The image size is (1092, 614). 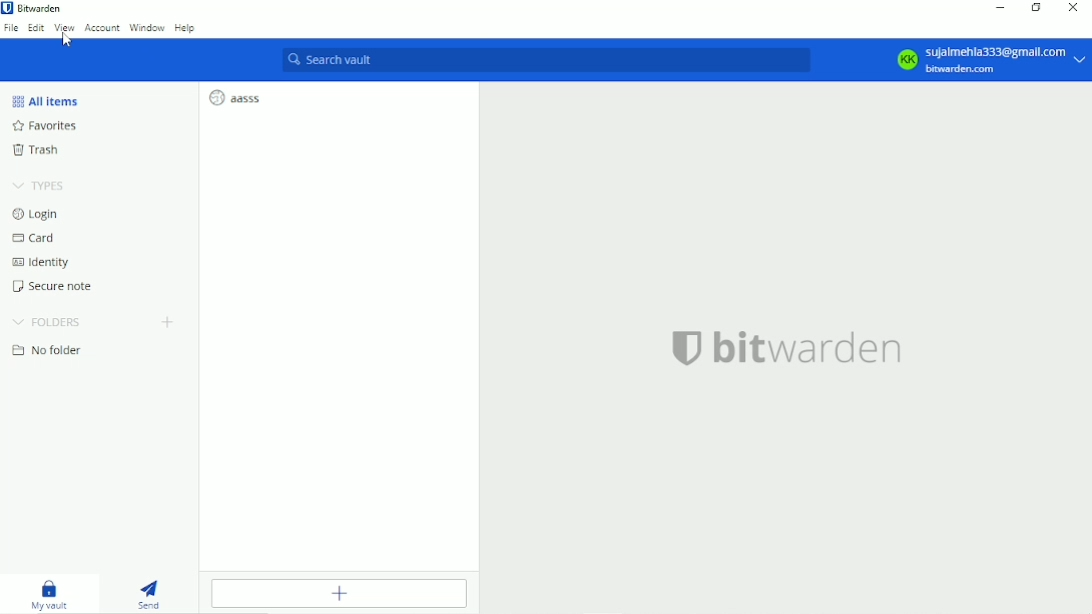 I want to click on Card, so click(x=40, y=237).